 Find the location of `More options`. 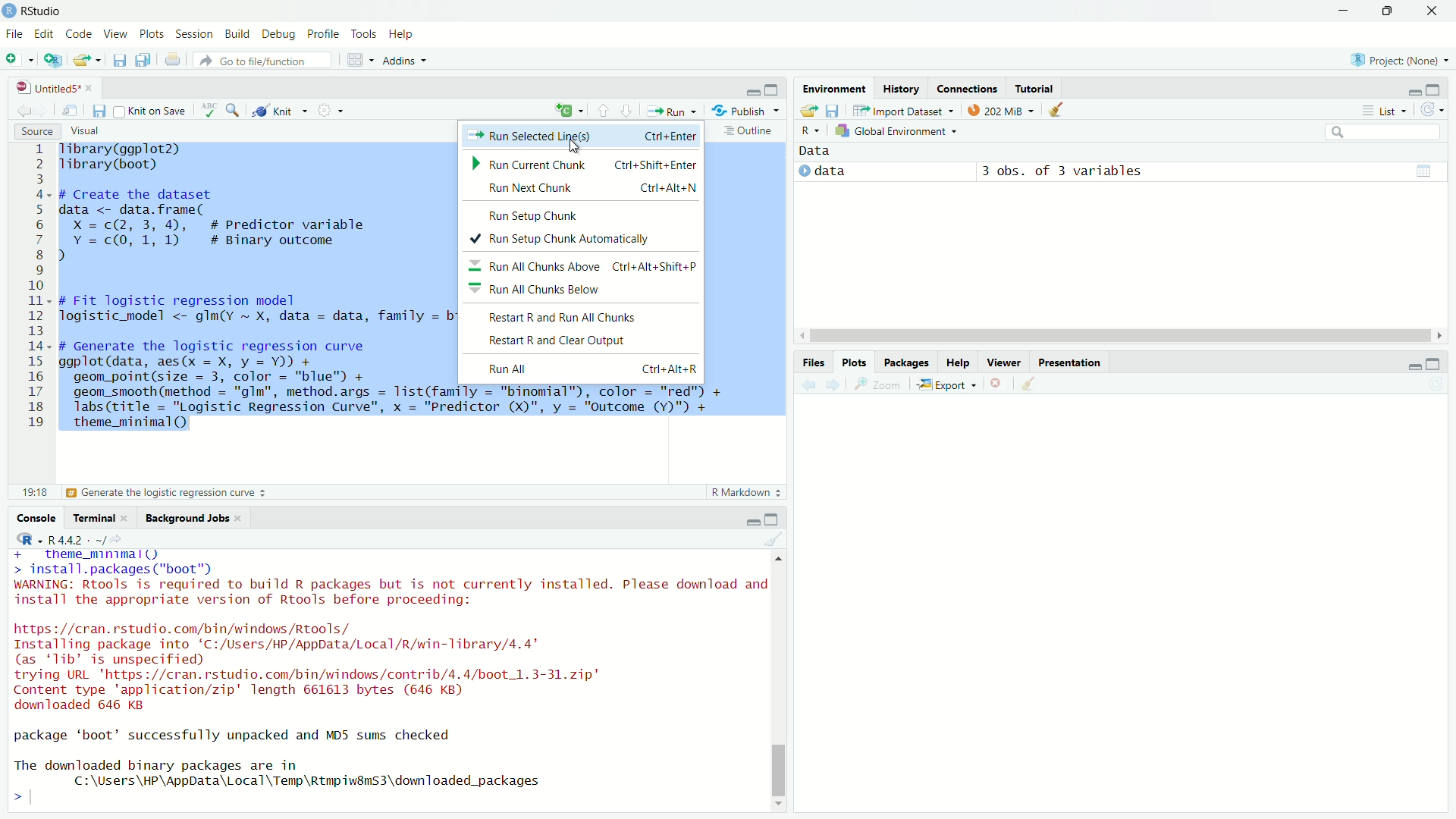

More options is located at coordinates (331, 109).